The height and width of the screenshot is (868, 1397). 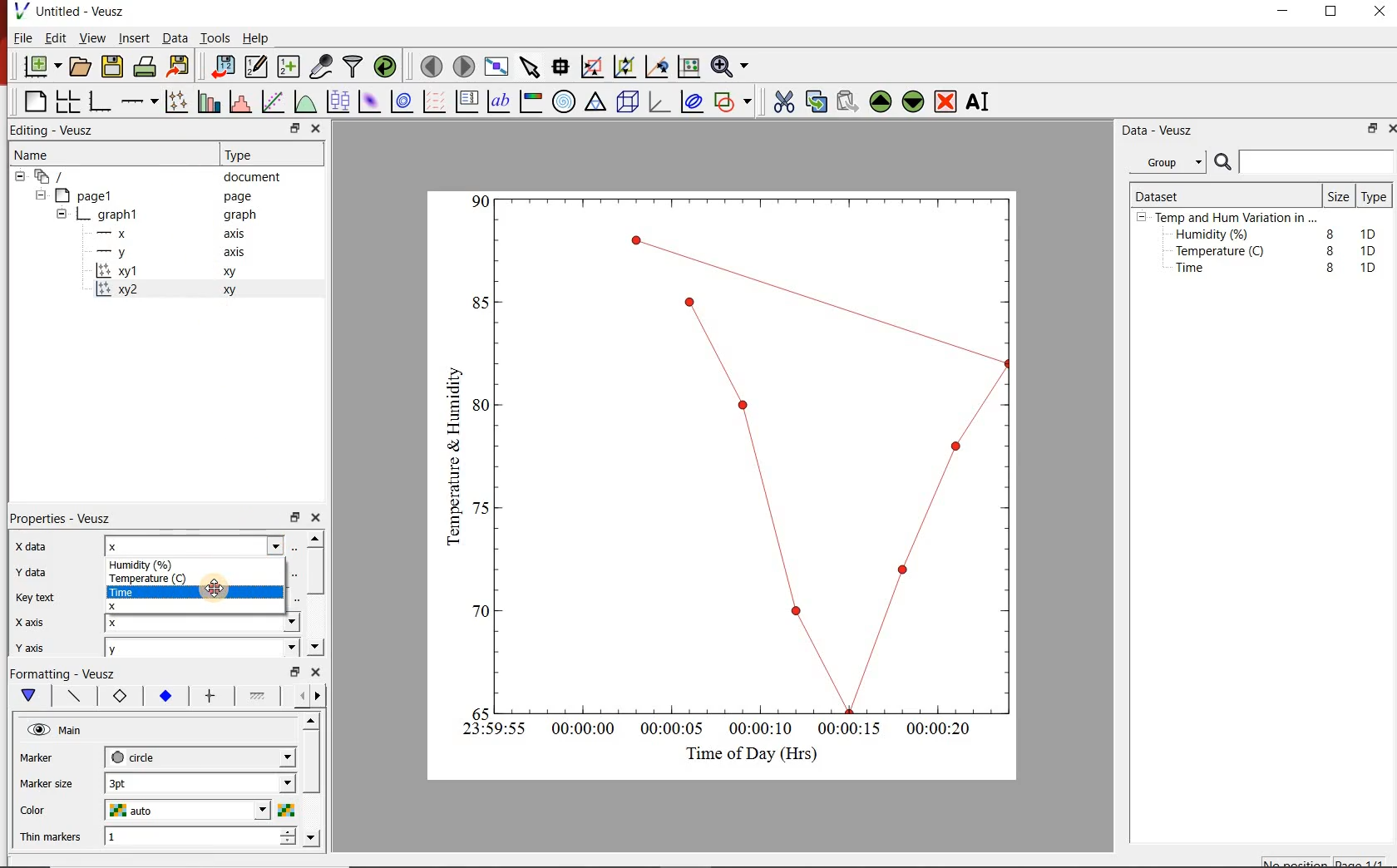 I want to click on 3d graph, so click(x=662, y=104).